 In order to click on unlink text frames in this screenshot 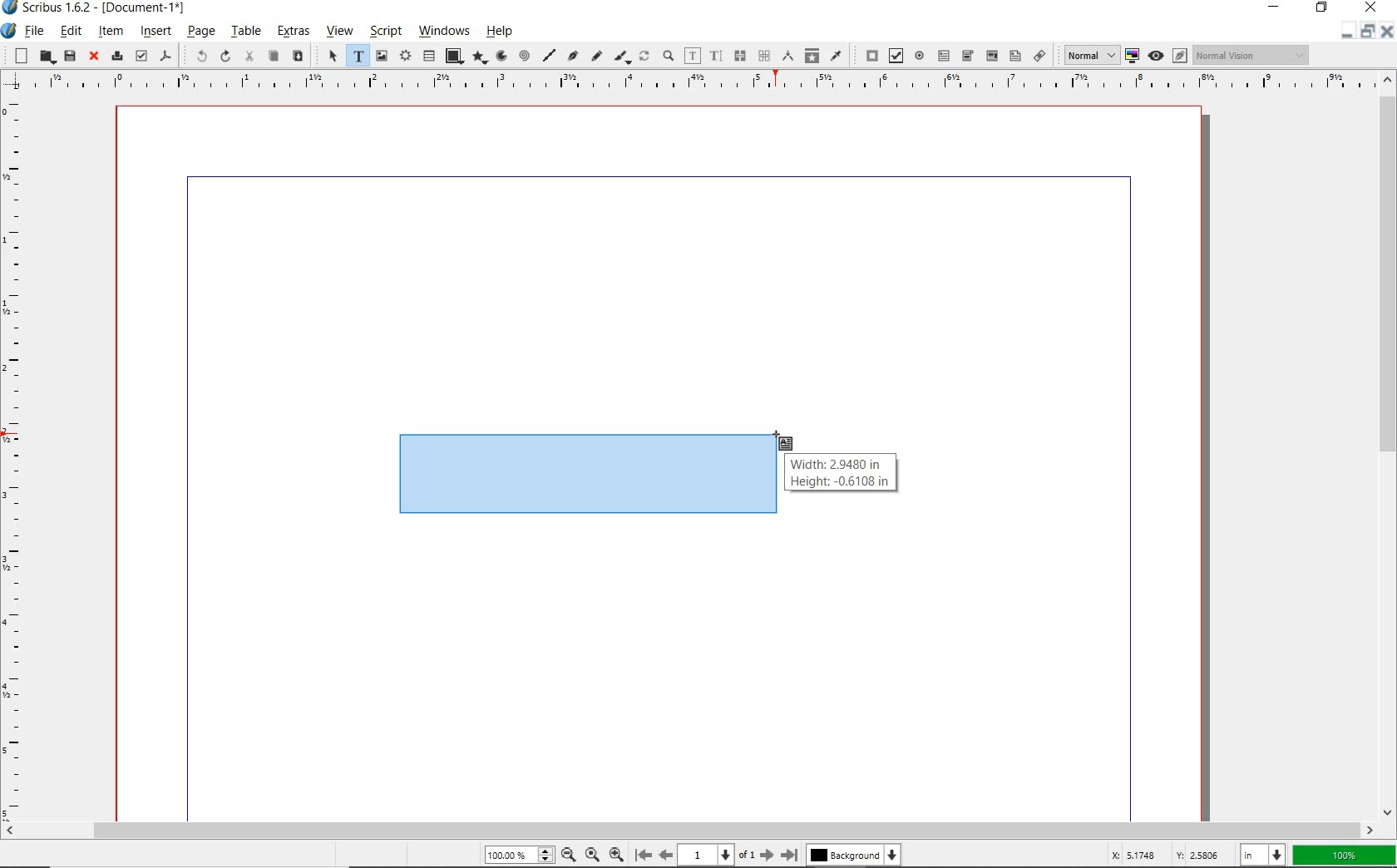, I will do `click(763, 57)`.